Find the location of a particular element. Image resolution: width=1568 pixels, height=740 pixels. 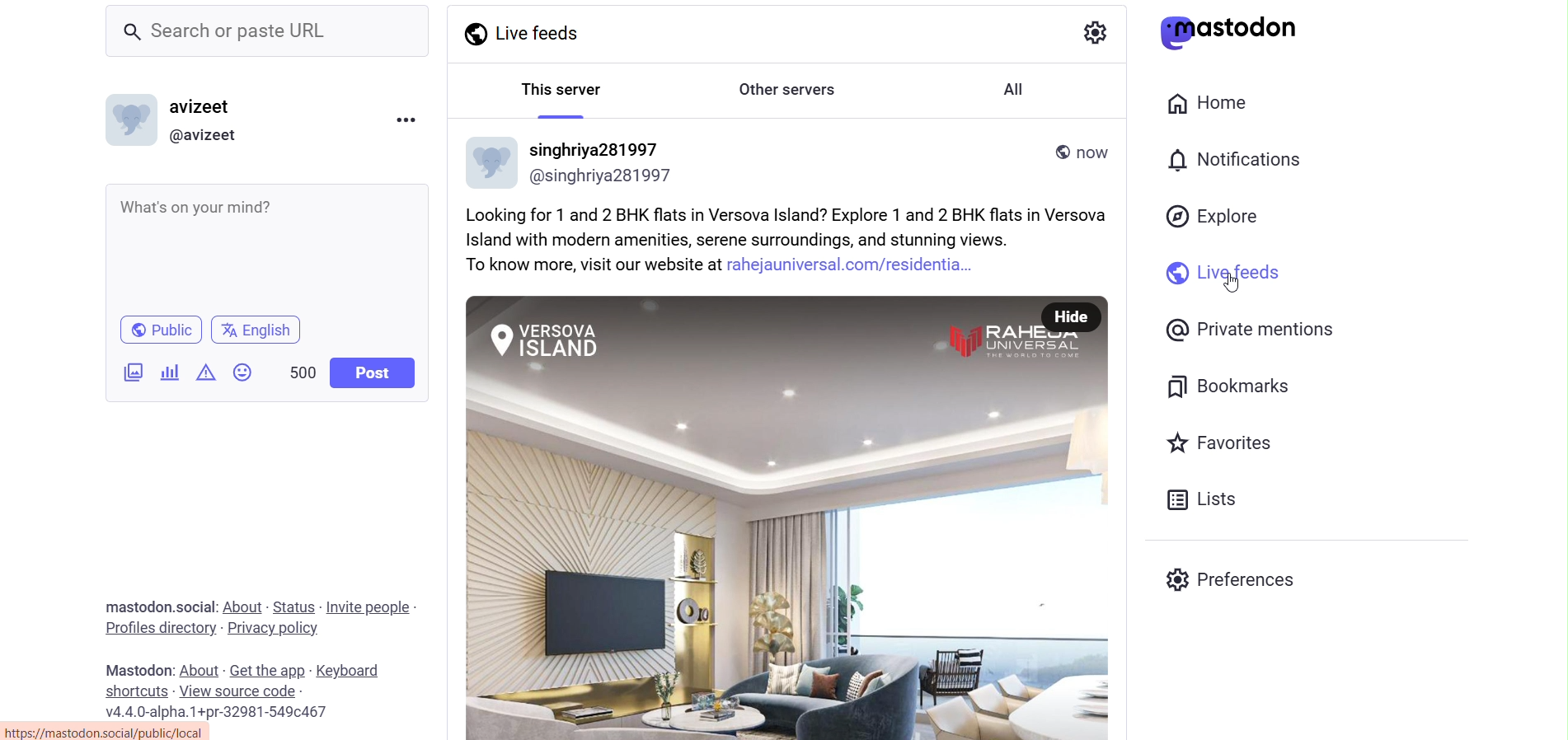

content warning is located at coordinates (204, 373).